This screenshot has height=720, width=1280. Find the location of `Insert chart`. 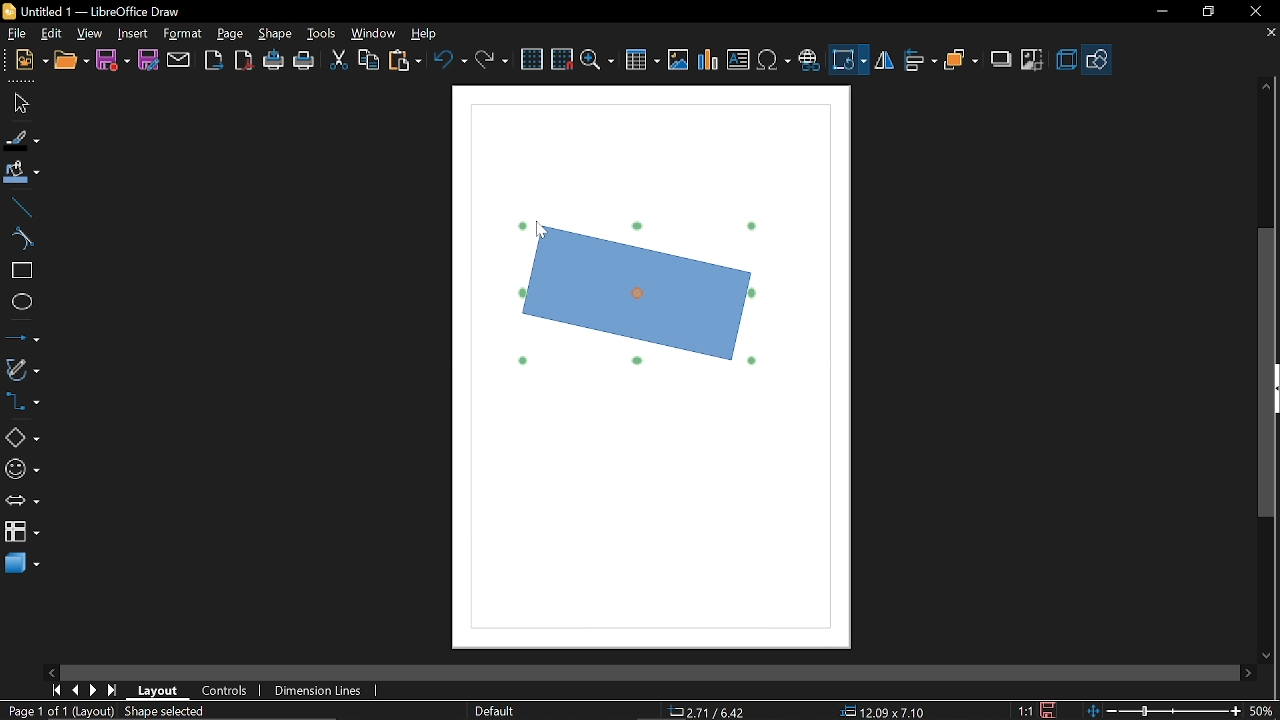

Insert chart is located at coordinates (707, 60).